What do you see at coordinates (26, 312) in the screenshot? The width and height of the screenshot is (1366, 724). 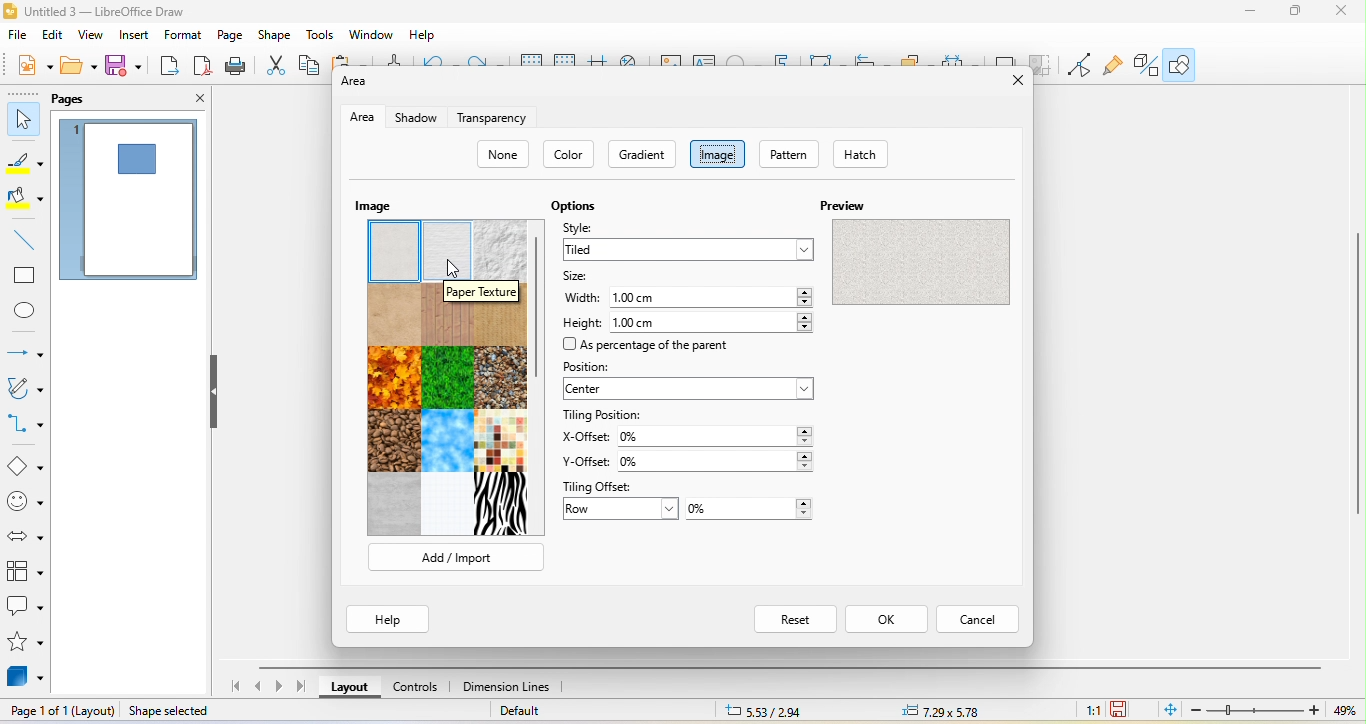 I see `ellipse` at bounding box center [26, 312].